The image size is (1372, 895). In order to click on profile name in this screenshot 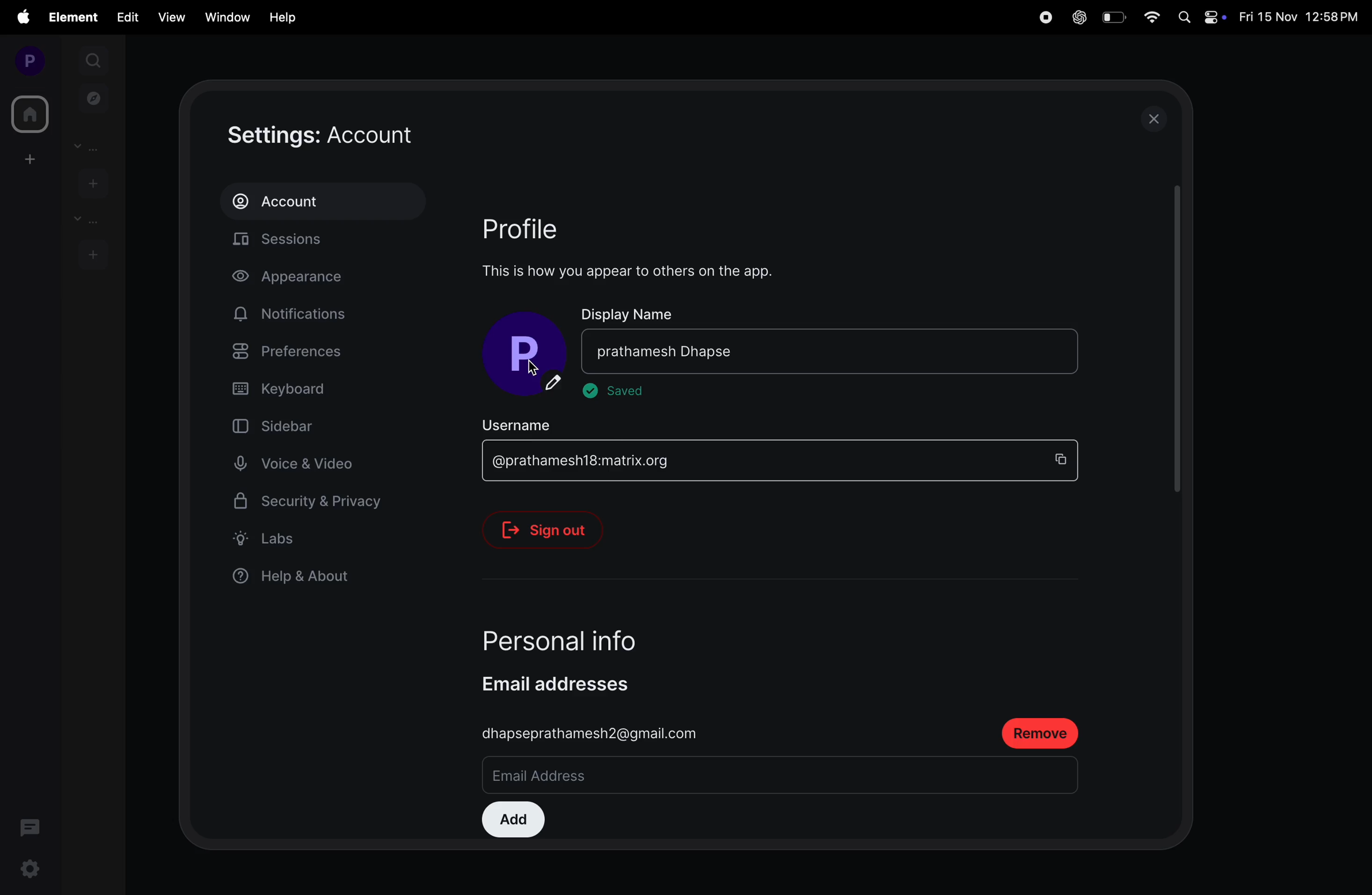, I will do `click(526, 353)`.